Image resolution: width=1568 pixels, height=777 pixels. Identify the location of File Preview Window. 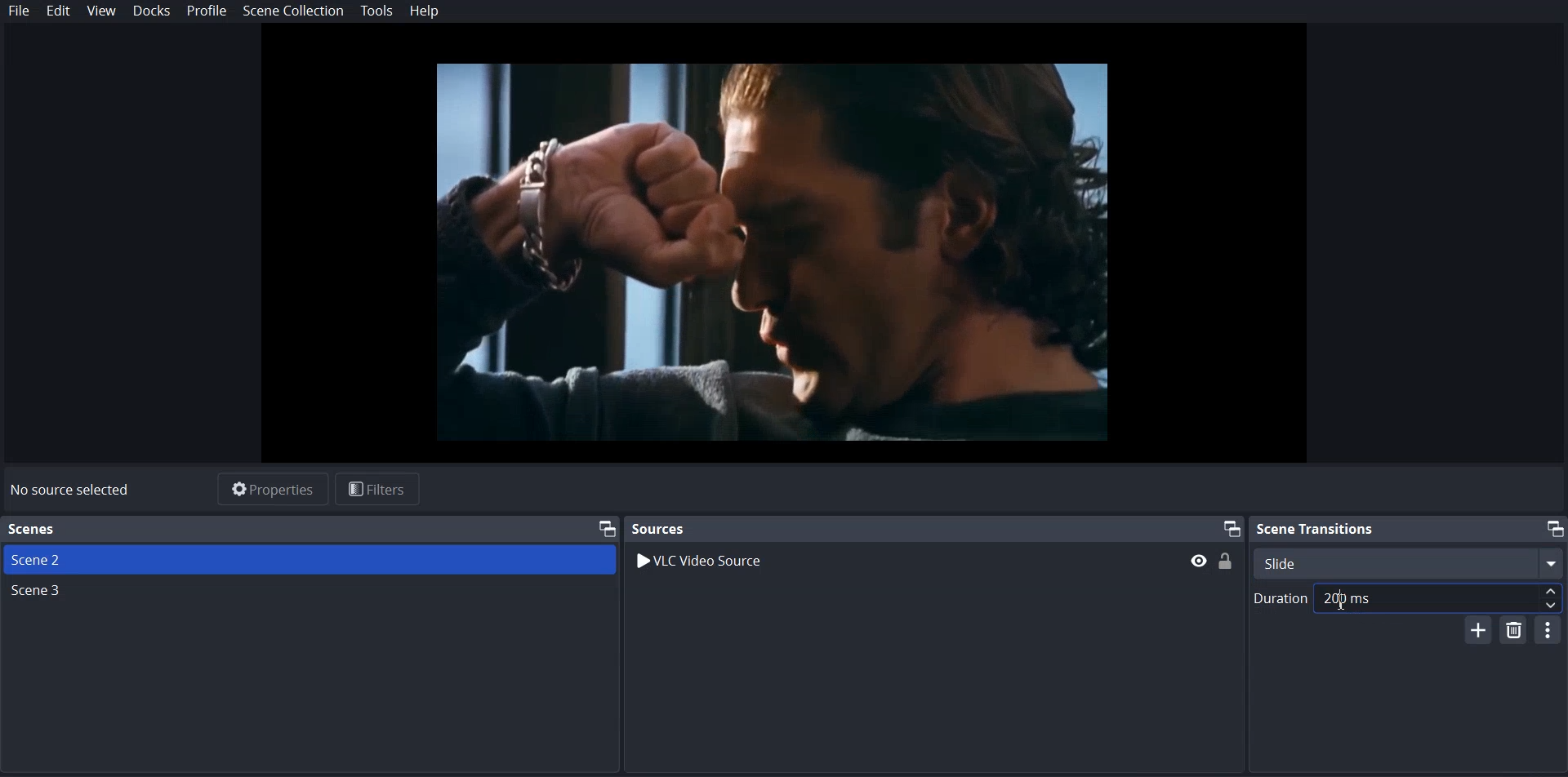
(769, 253).